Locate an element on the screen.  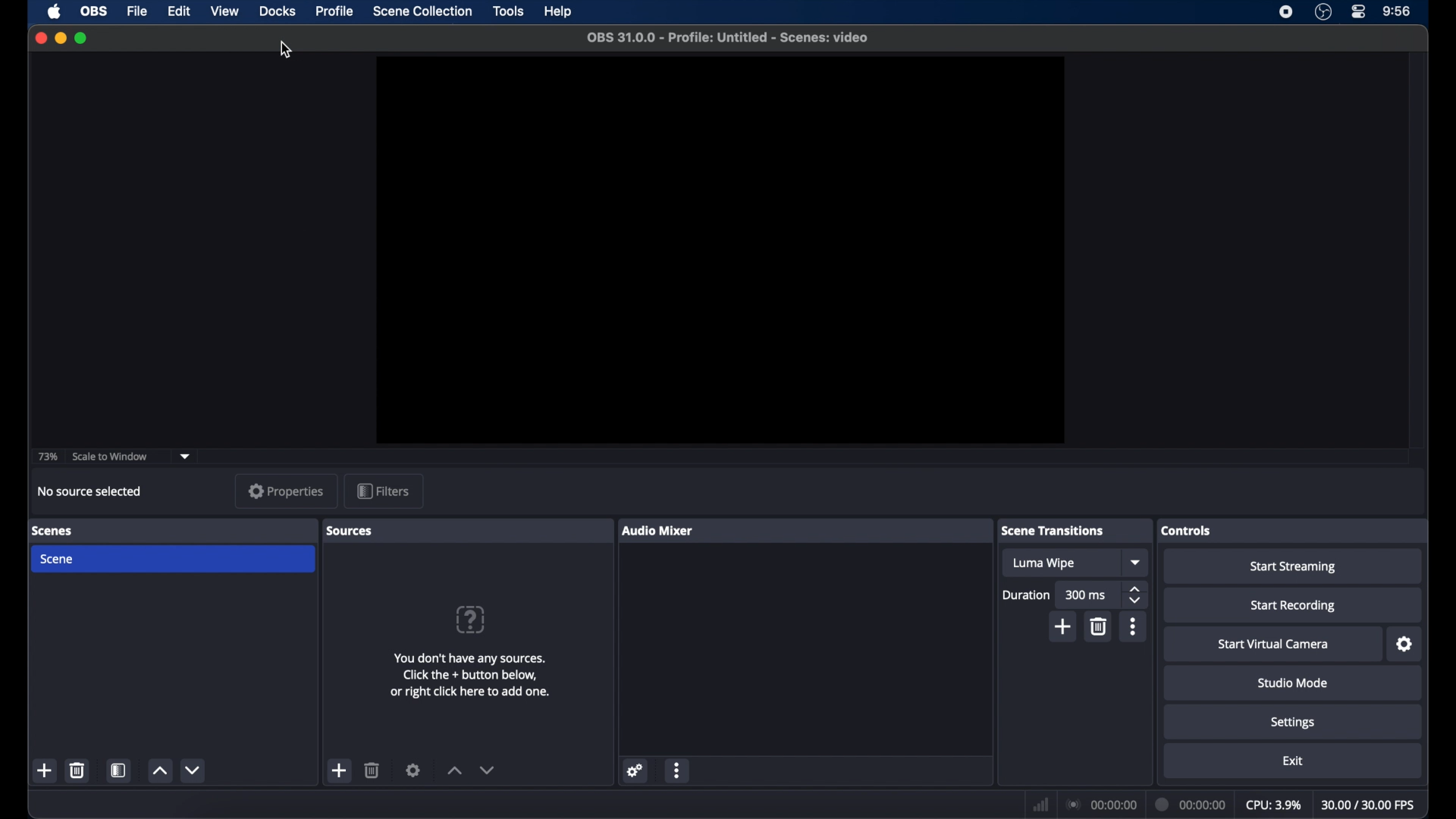
scenes is located at coordinates (62, 531).